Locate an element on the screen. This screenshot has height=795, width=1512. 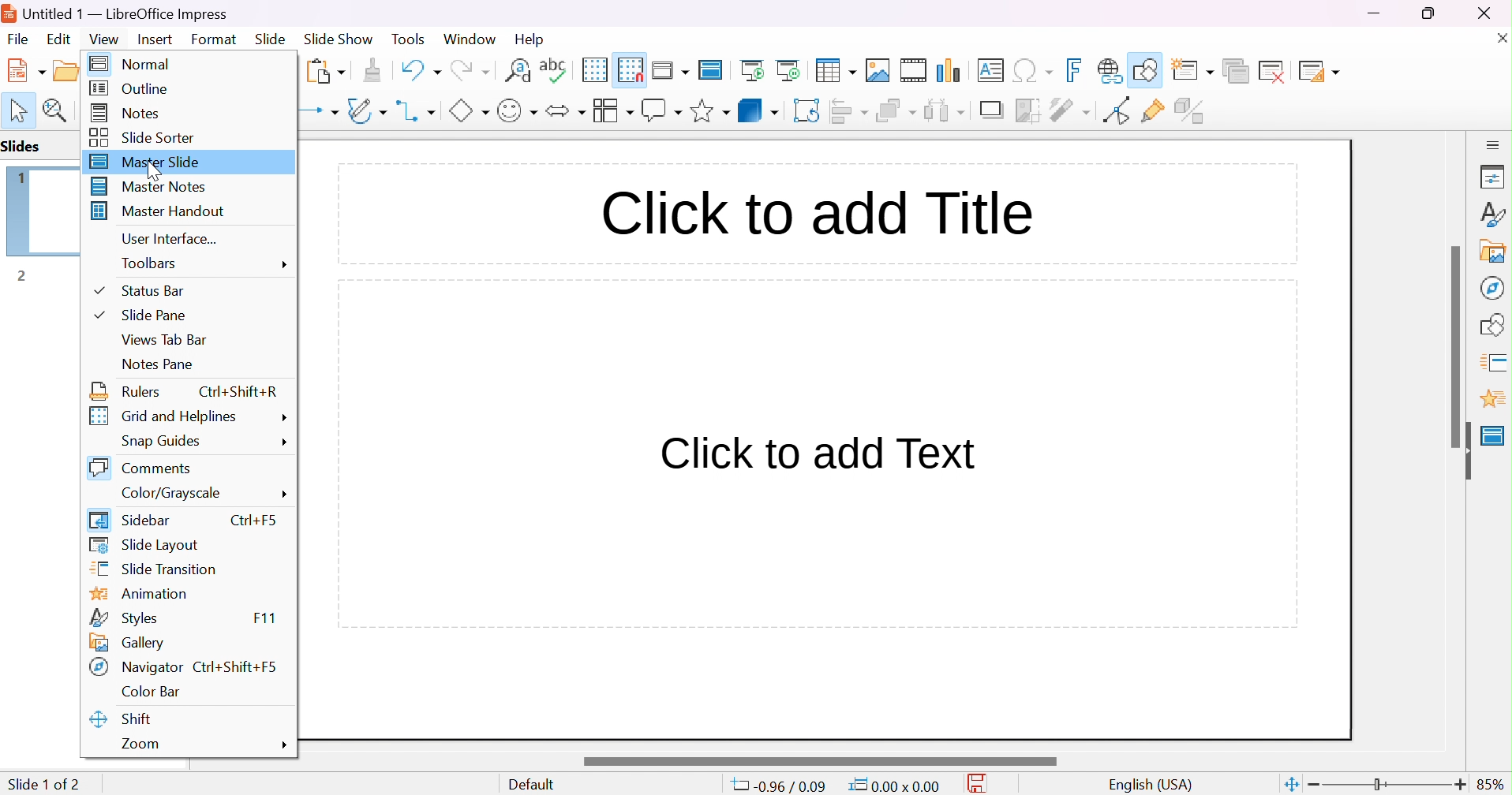
master notes is located at coordinates (152, 186).